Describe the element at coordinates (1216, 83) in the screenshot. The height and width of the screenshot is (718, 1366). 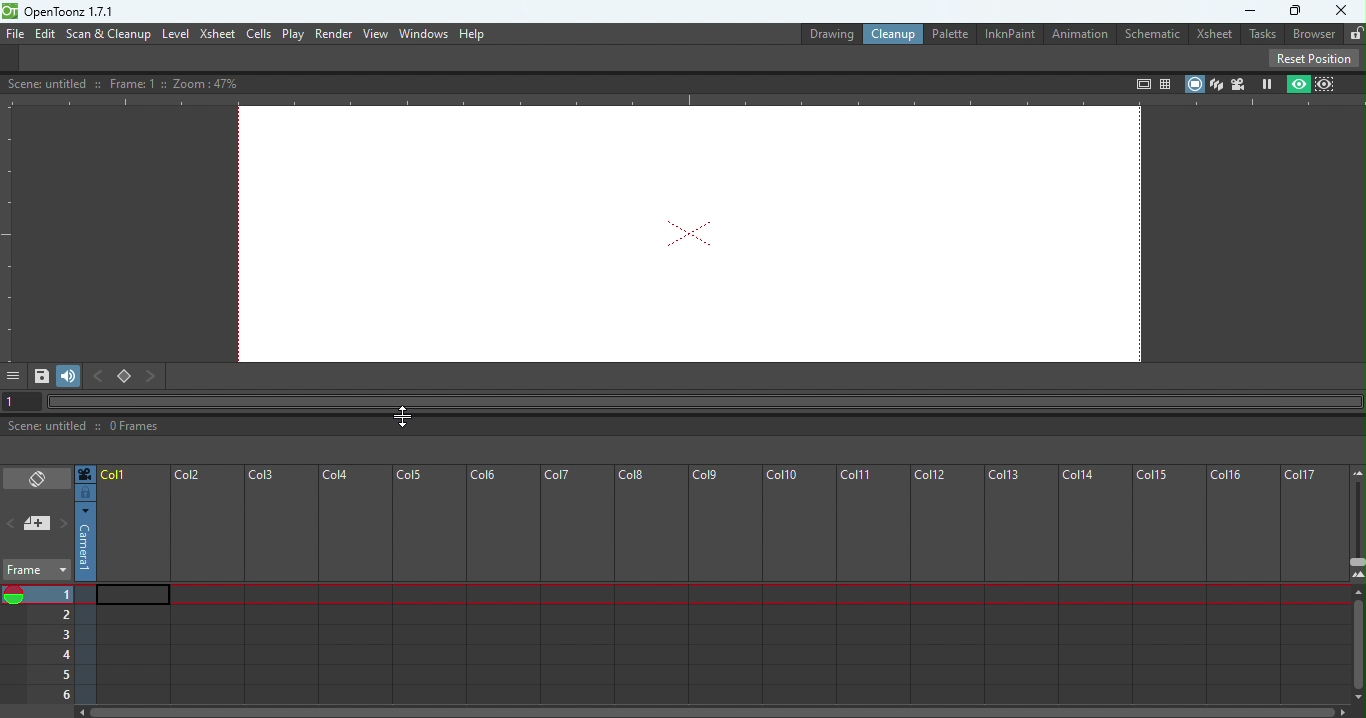
I see `3D View` at that location.